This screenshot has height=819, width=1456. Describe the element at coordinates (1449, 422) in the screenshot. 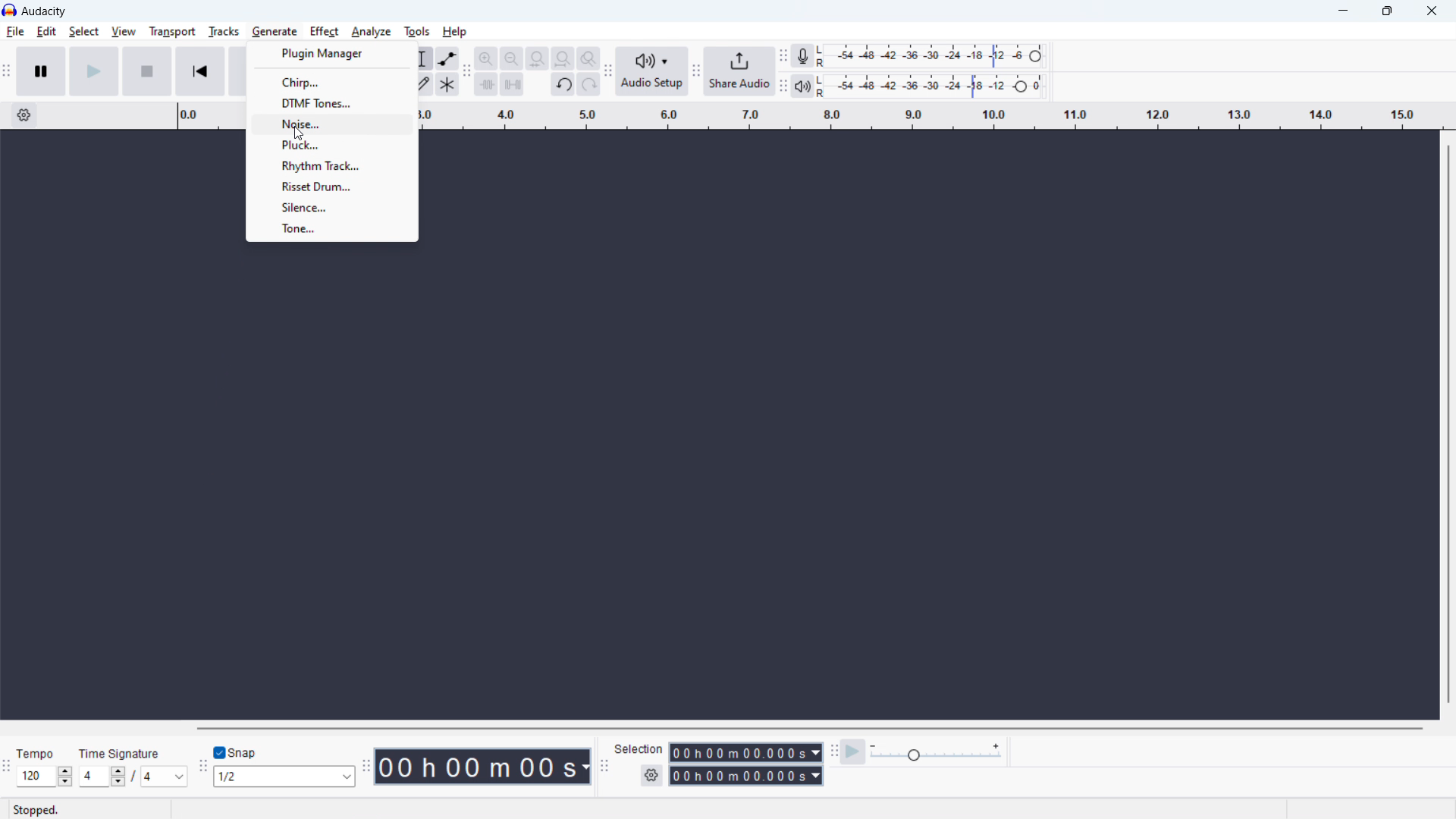

I see `vertical scrollbar` at that location.